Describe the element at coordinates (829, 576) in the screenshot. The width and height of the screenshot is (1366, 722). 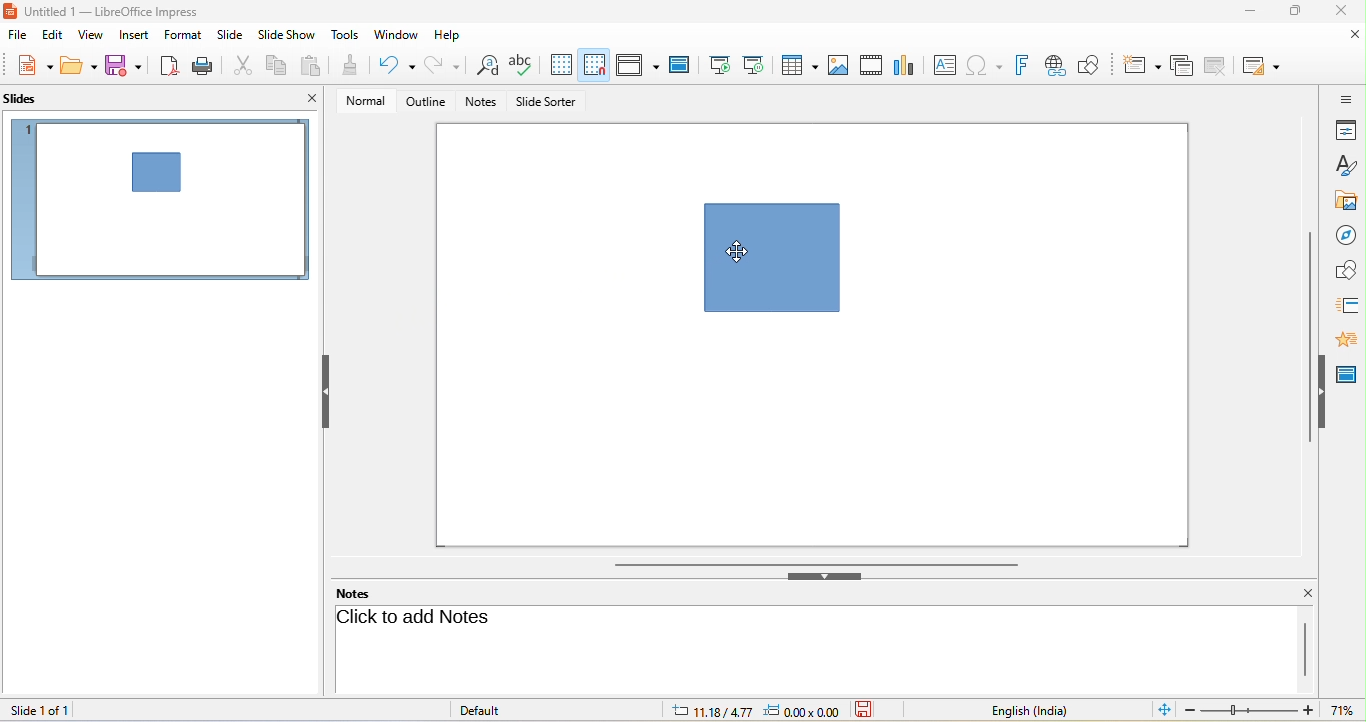
I see `hide` at that location.